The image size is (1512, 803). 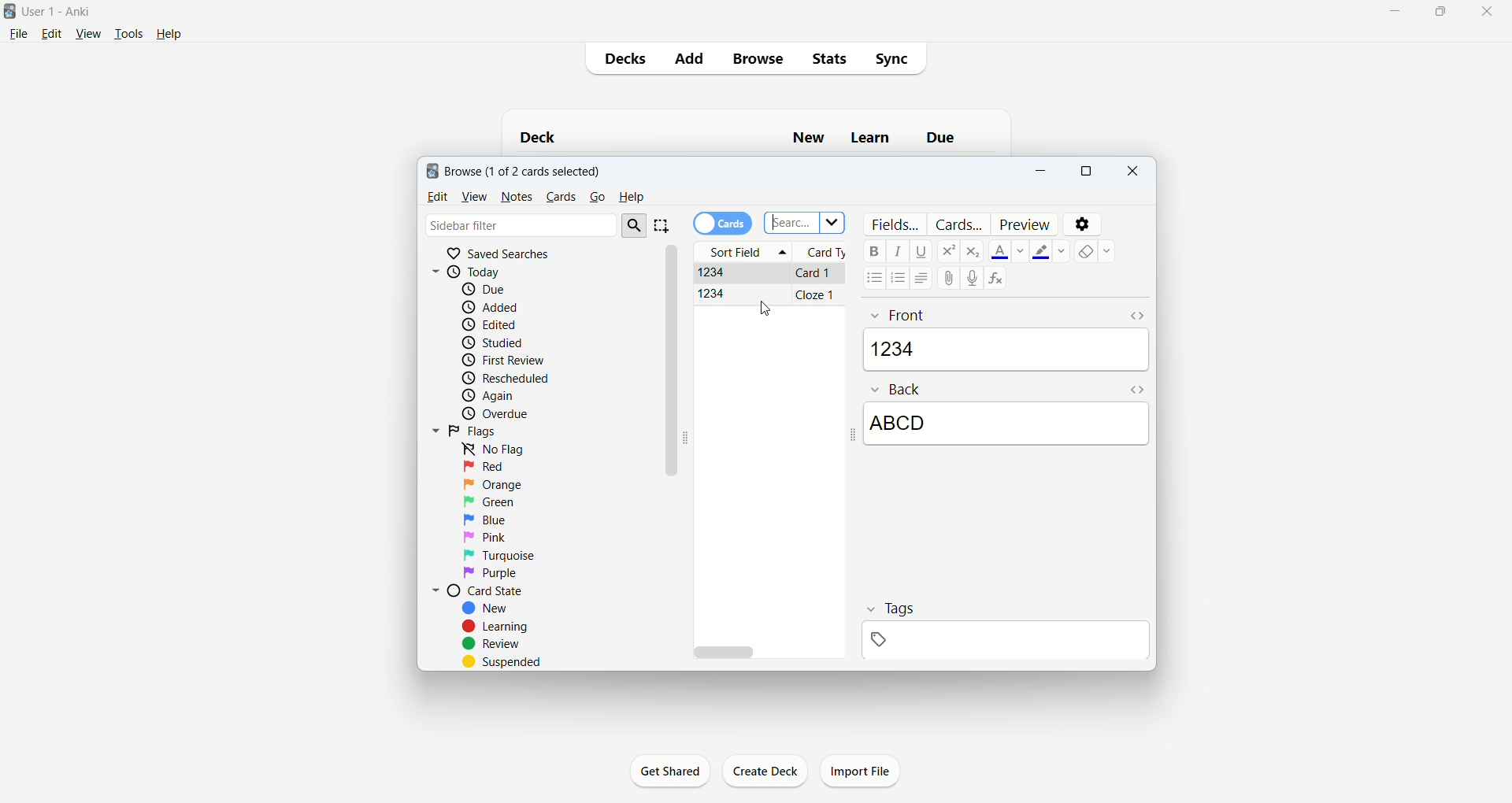 I want to click on learn, so click(x=873, y=139).